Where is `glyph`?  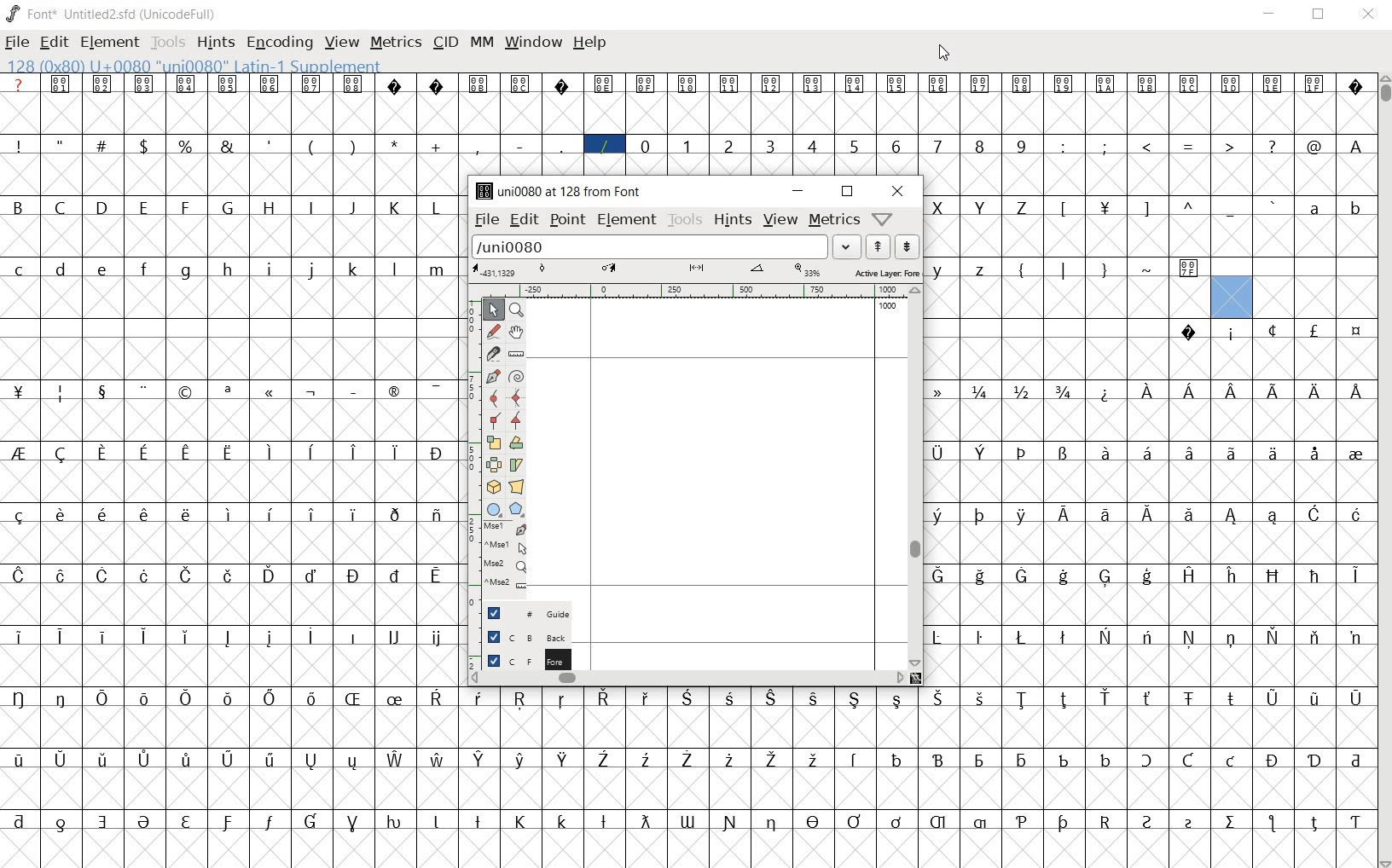 glyph is located at coordinates (728, 85).